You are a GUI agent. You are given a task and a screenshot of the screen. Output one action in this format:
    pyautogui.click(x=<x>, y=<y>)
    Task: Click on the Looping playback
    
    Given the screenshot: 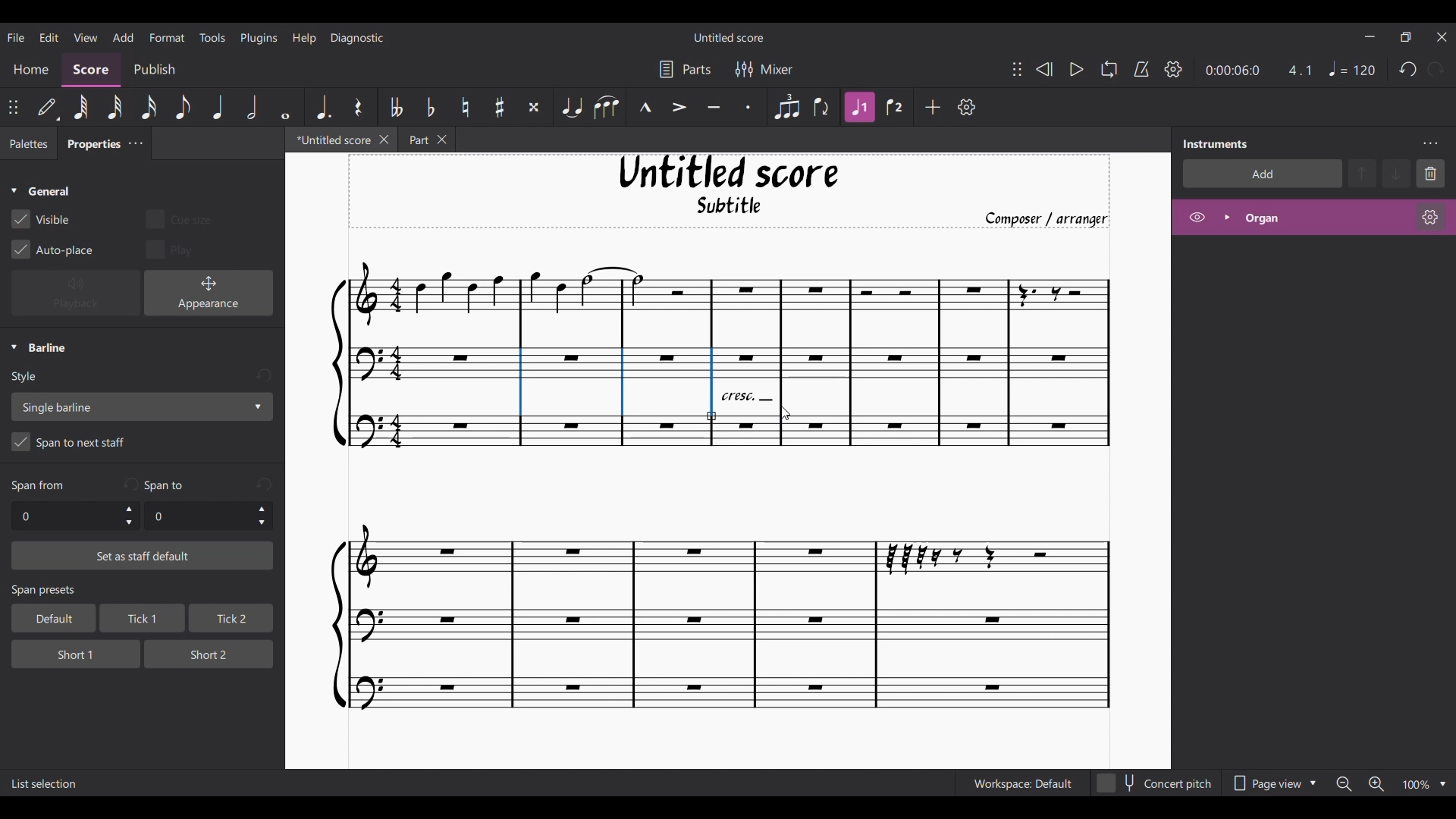 What is the action you would take?
    pyautogui.click(x=1108, y=69)
    